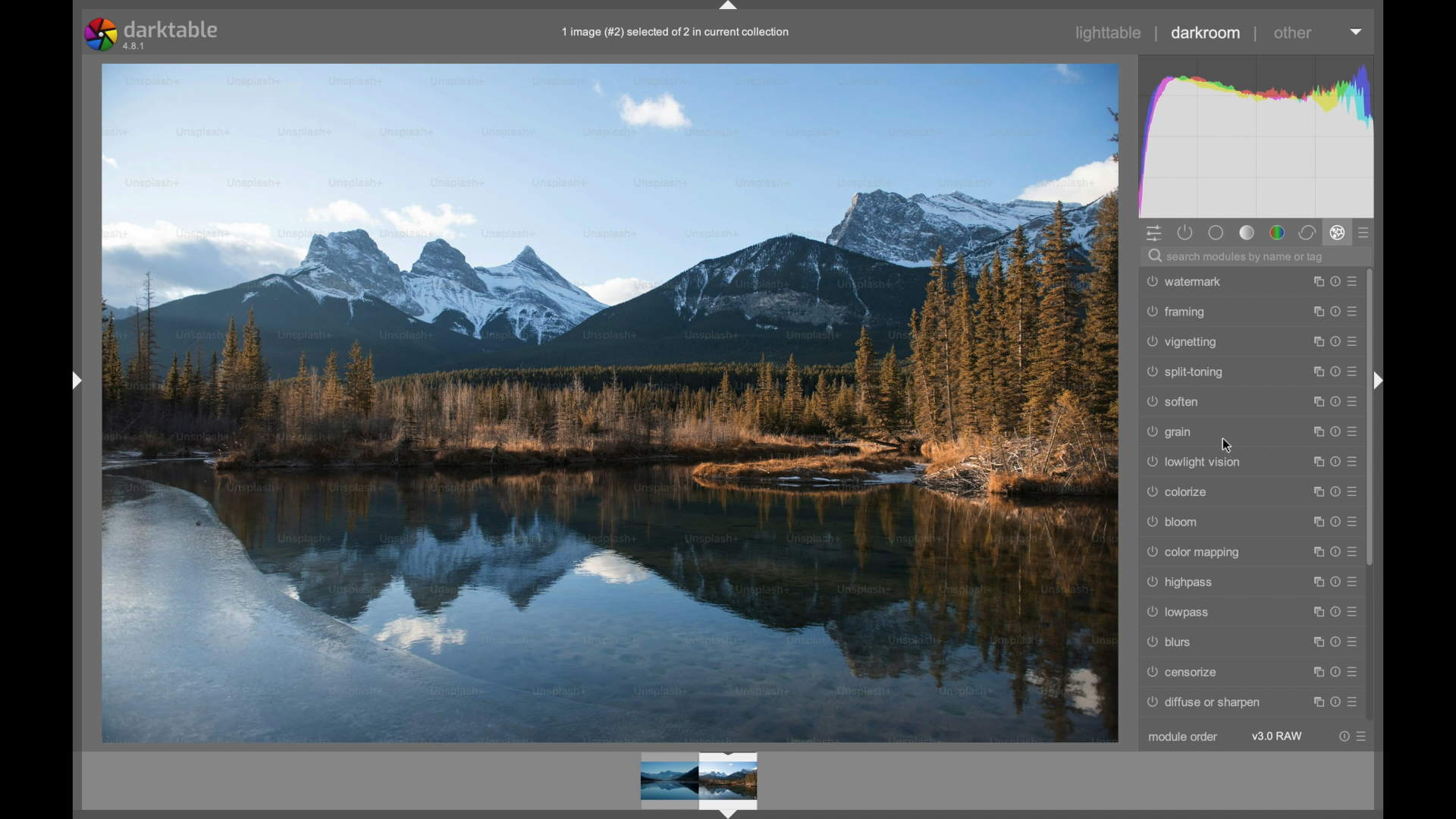  Describe the element at coordinates (1354, 372) in the screenshot. I see `presets` at that location.